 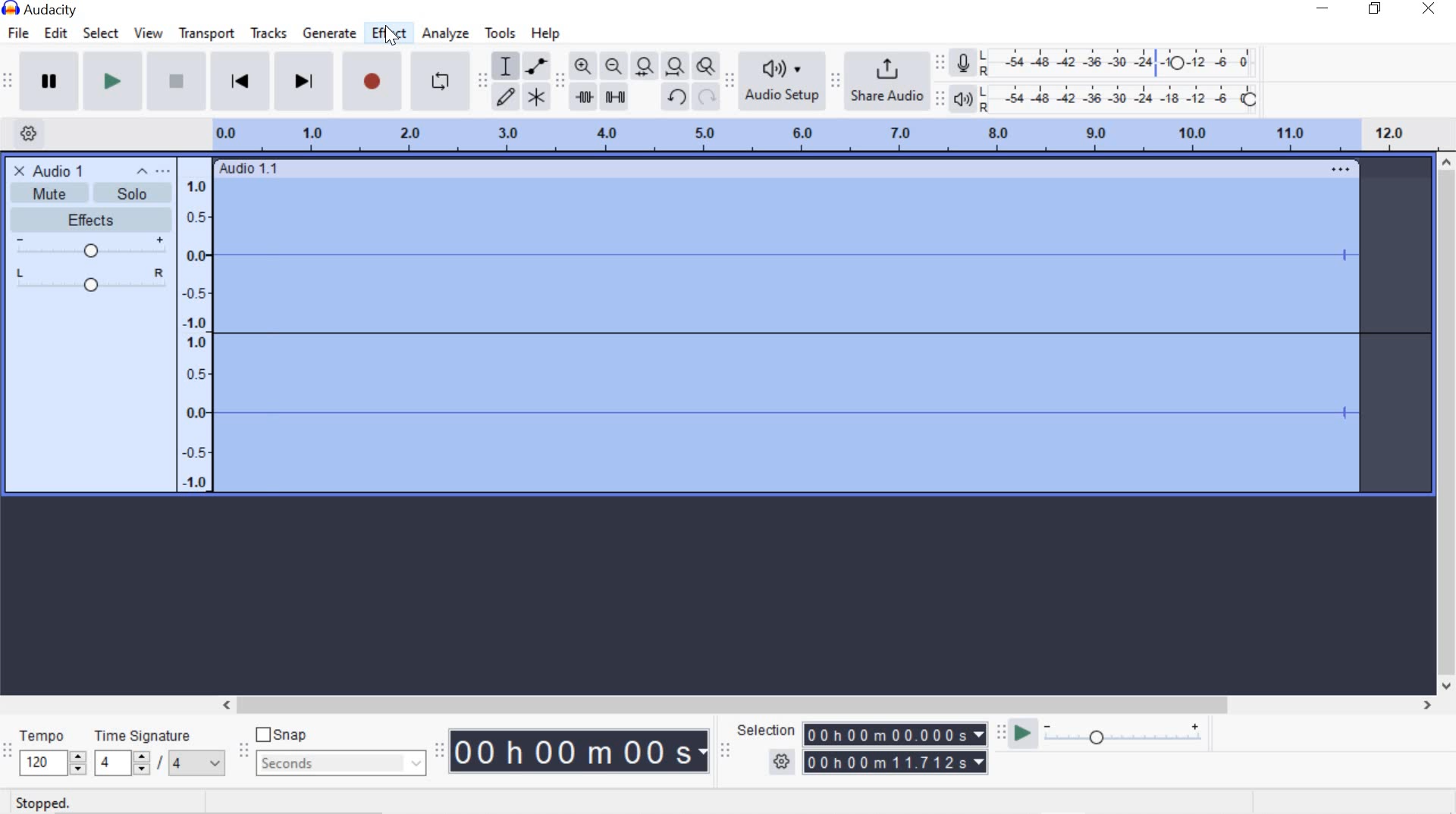 I want to click on recording meter toolbar, so click(x=943, y=61).